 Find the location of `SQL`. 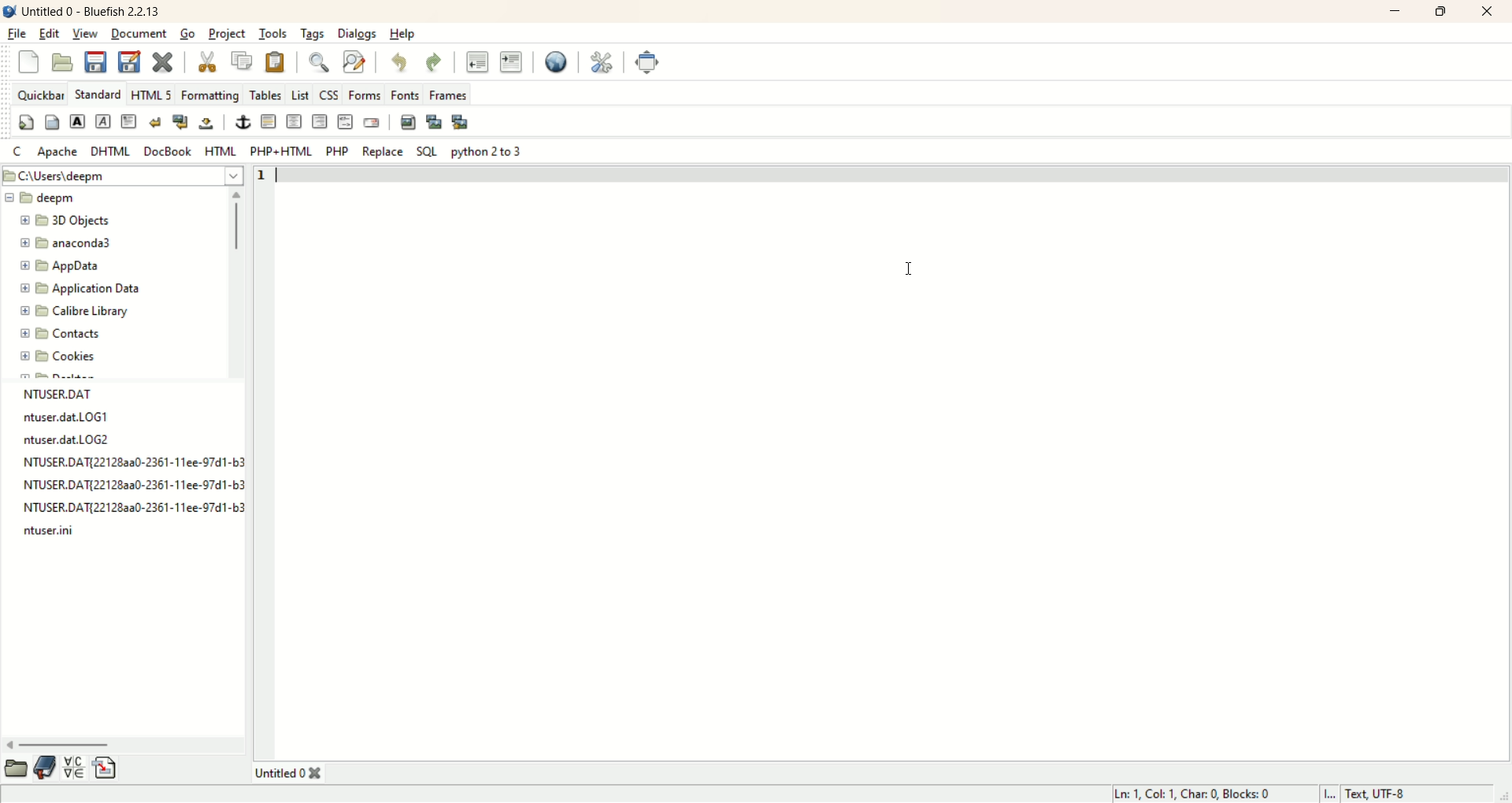

SQL is located at coordinates (427, 150).